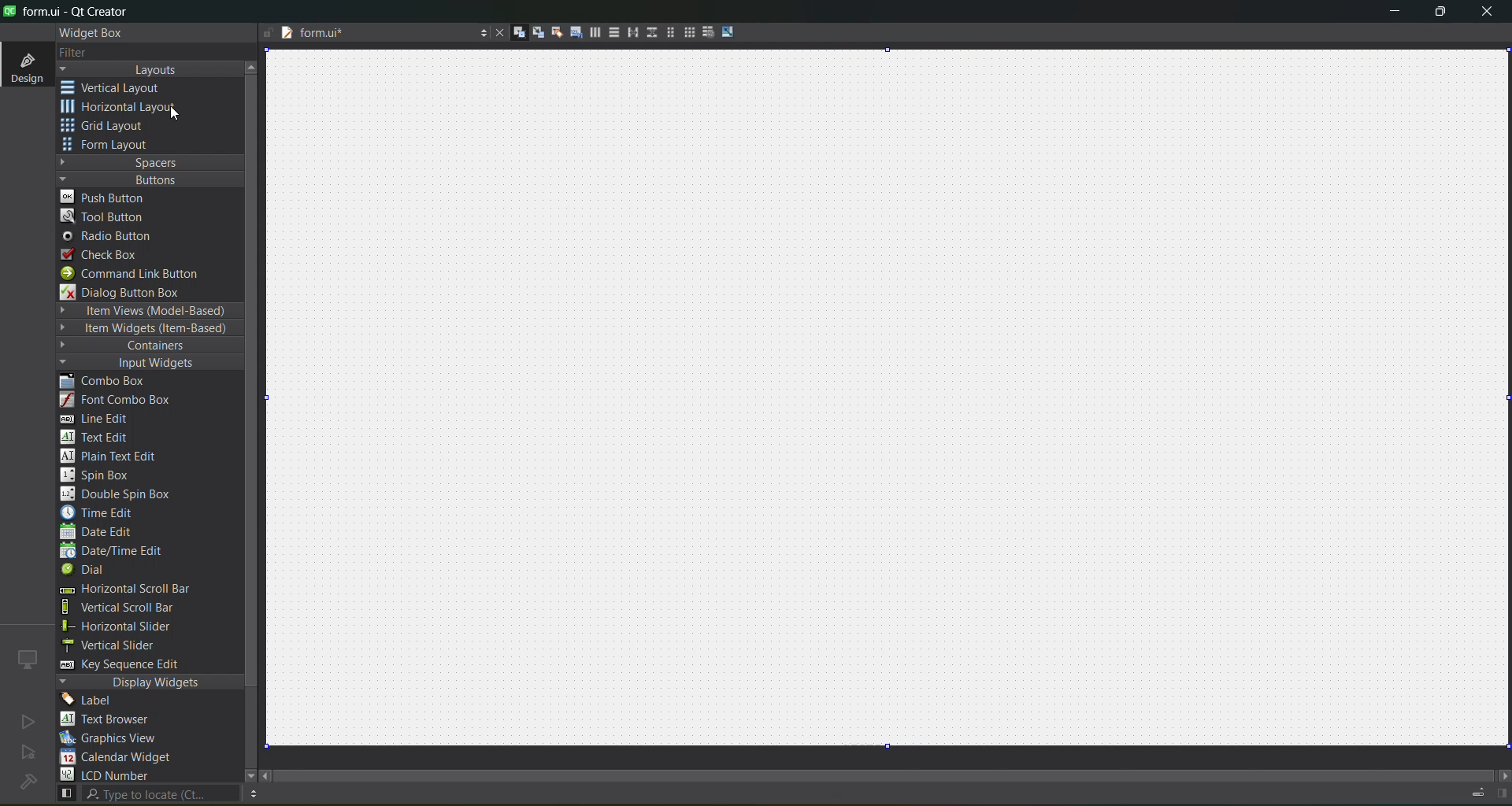 The height and width of the screenshot is (806, 1512). Describe the element at coordinates (898, 398) in the screenshot. I see `canvas` at that location.